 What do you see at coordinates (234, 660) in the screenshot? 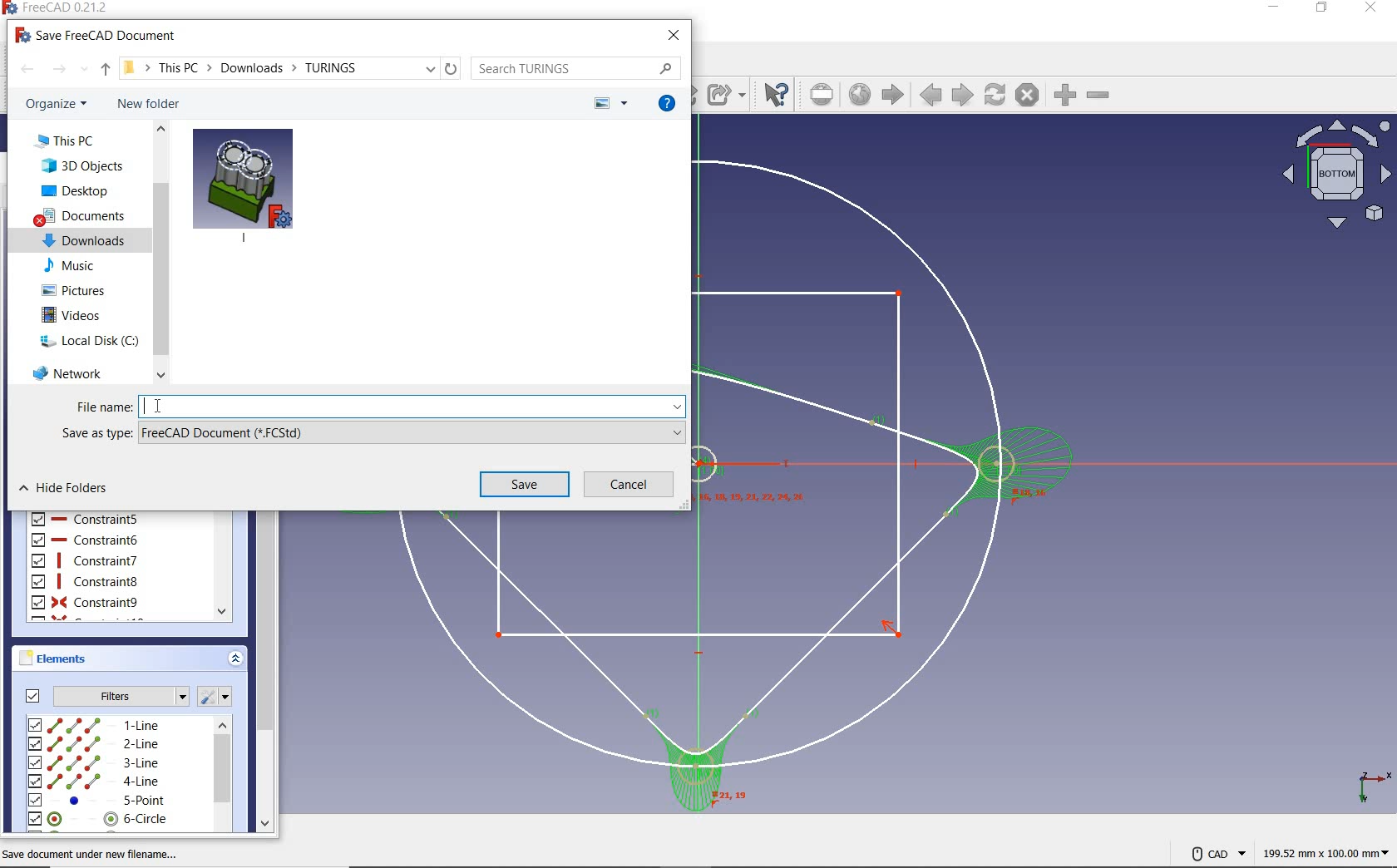
I see `expand` at bounding box center [234, 660].